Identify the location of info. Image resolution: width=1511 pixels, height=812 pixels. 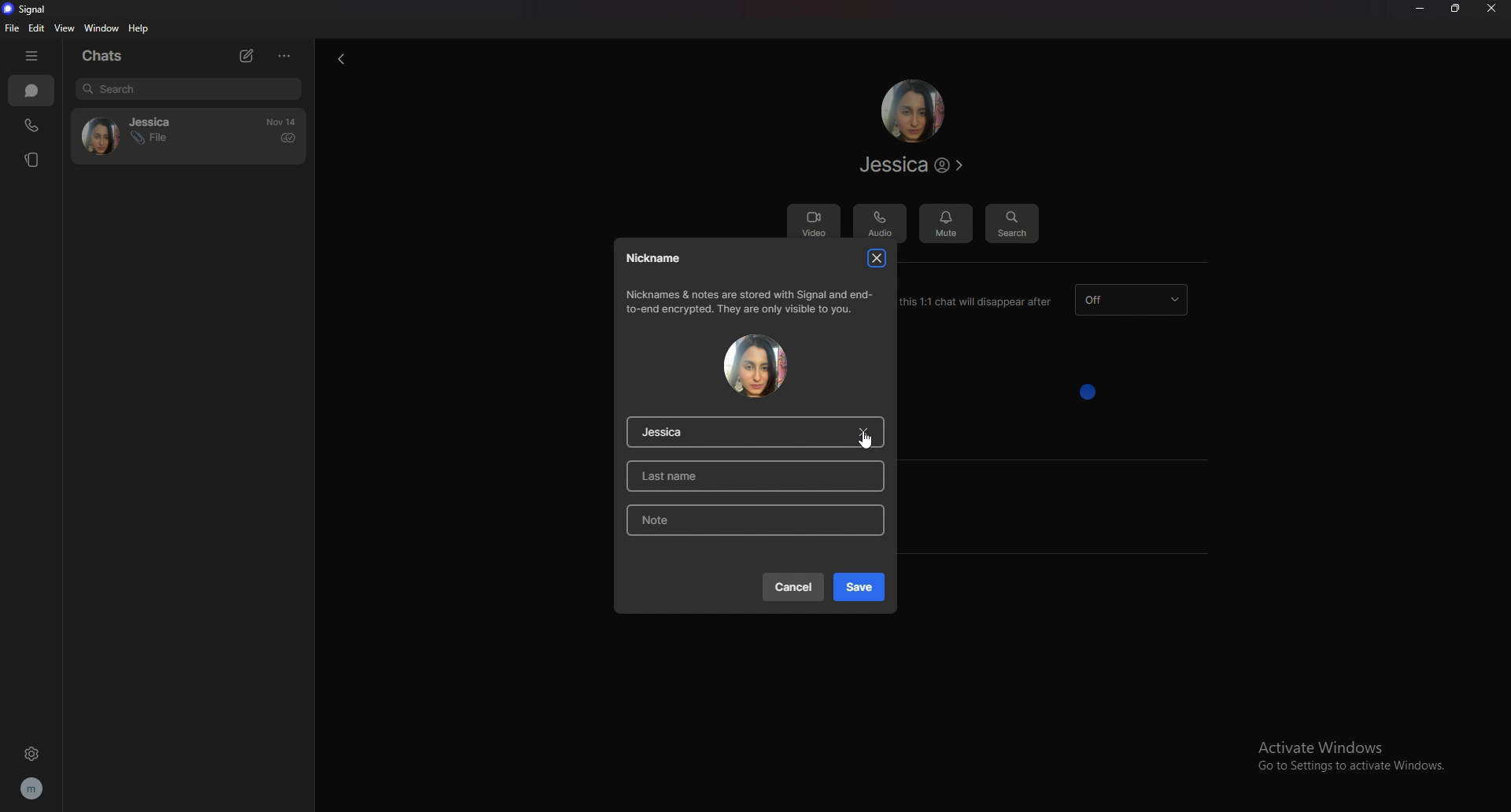
(752, 301).